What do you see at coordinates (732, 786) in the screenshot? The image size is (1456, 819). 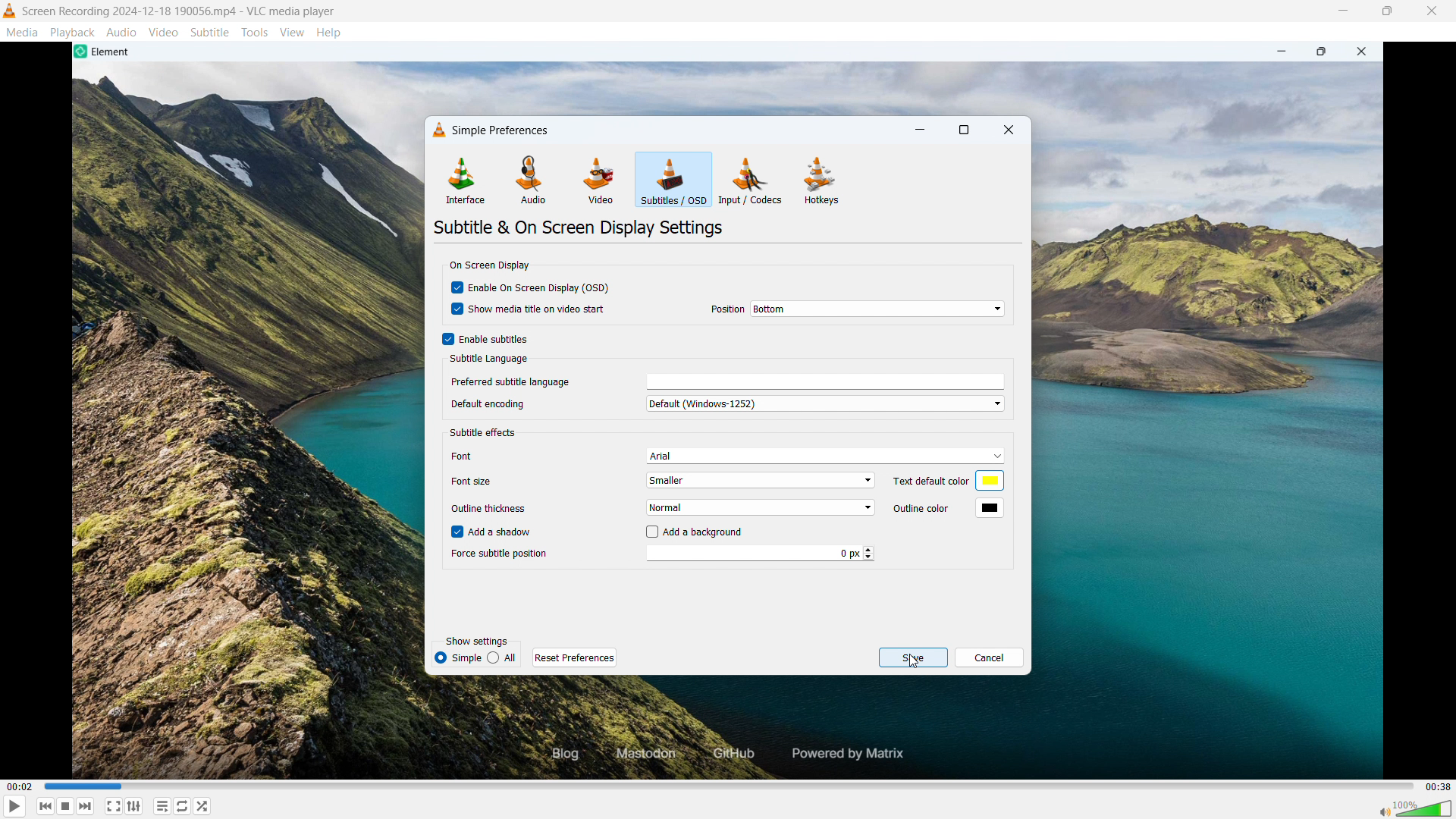 I see `Time bar ` at bounding box center [732, 786].